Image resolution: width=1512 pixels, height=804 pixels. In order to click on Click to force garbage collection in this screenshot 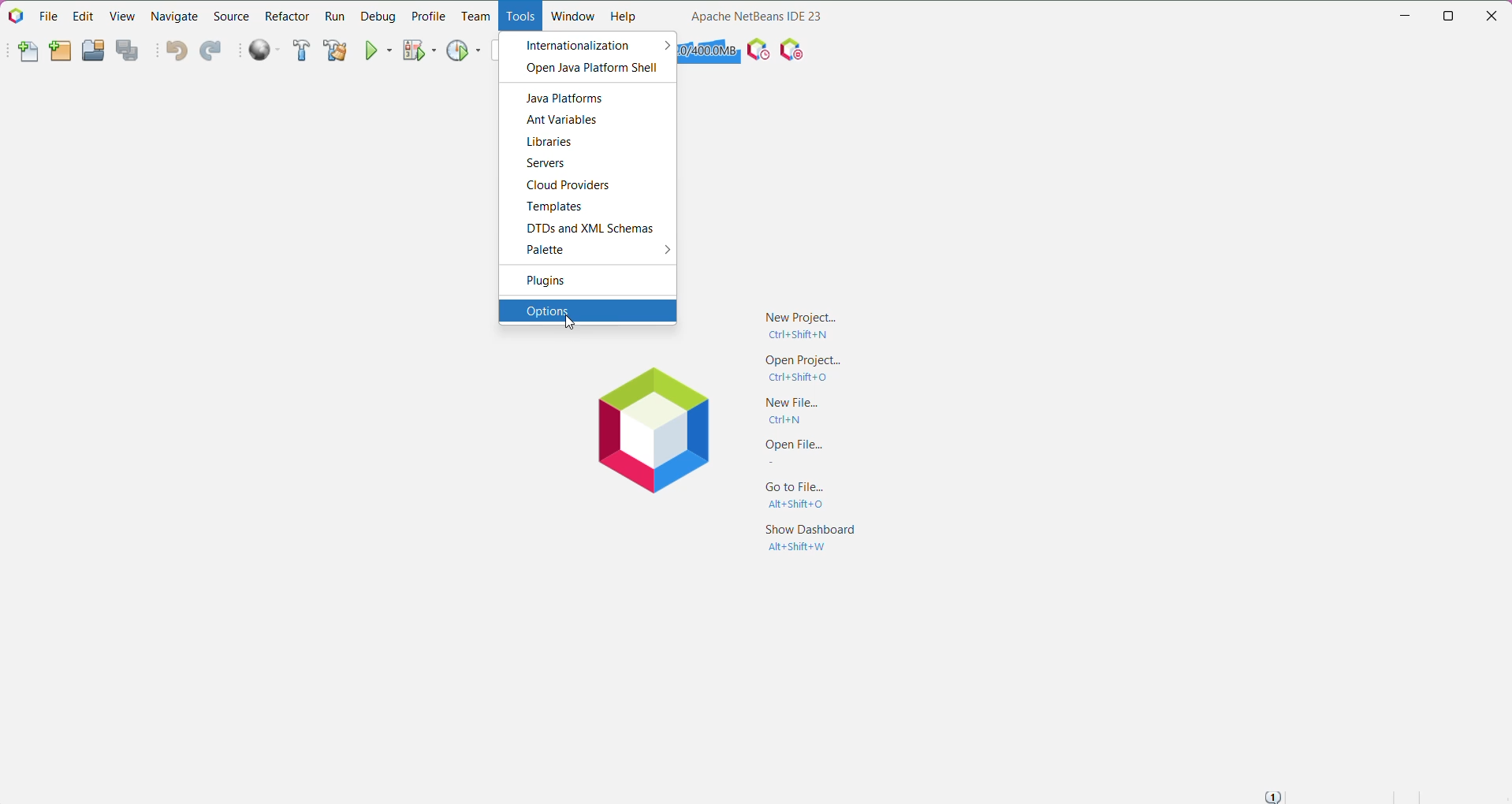, I will do `click(709, 50)`.